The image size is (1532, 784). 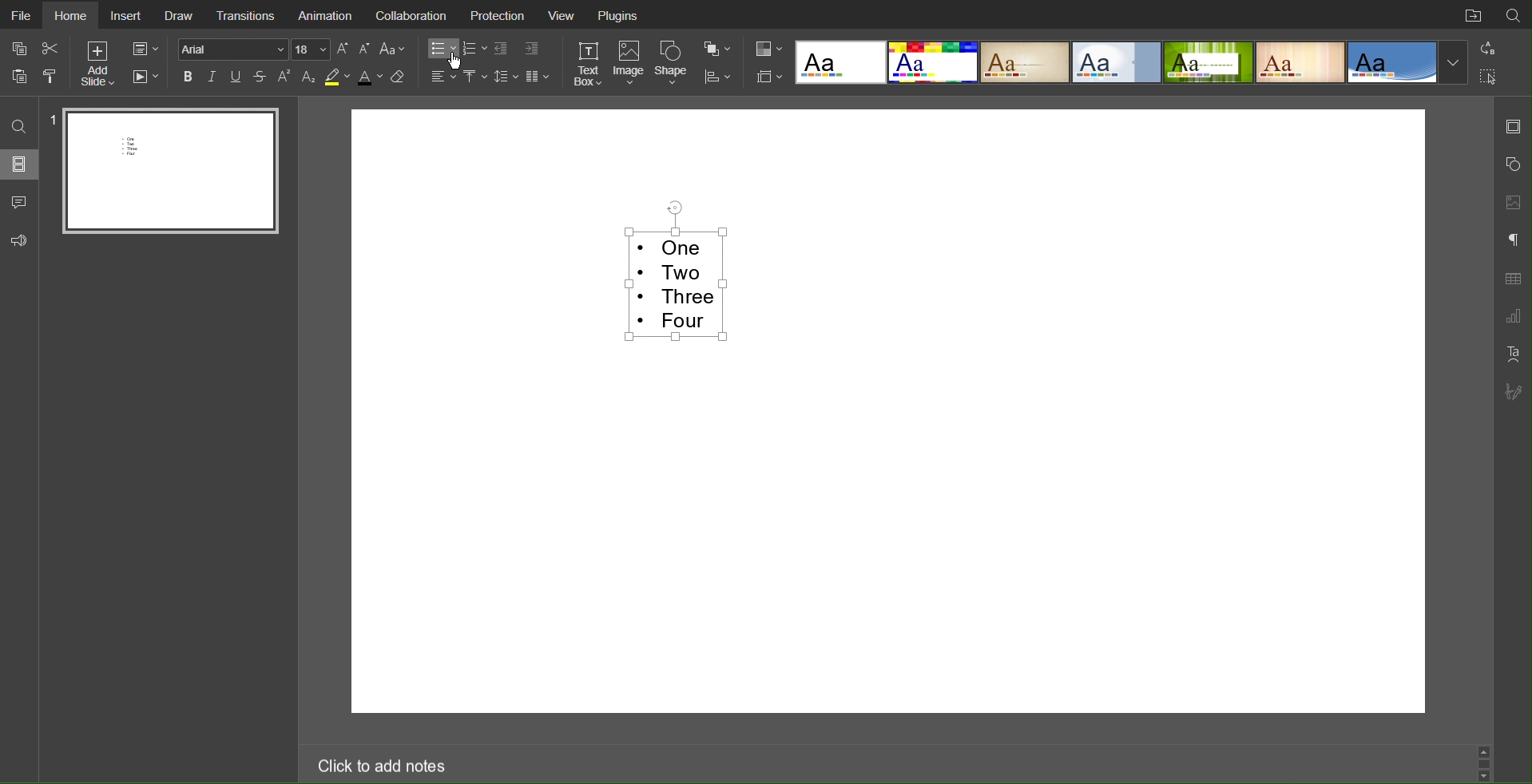 I want to click on Shape Settings, so click(x=1511, y=164).